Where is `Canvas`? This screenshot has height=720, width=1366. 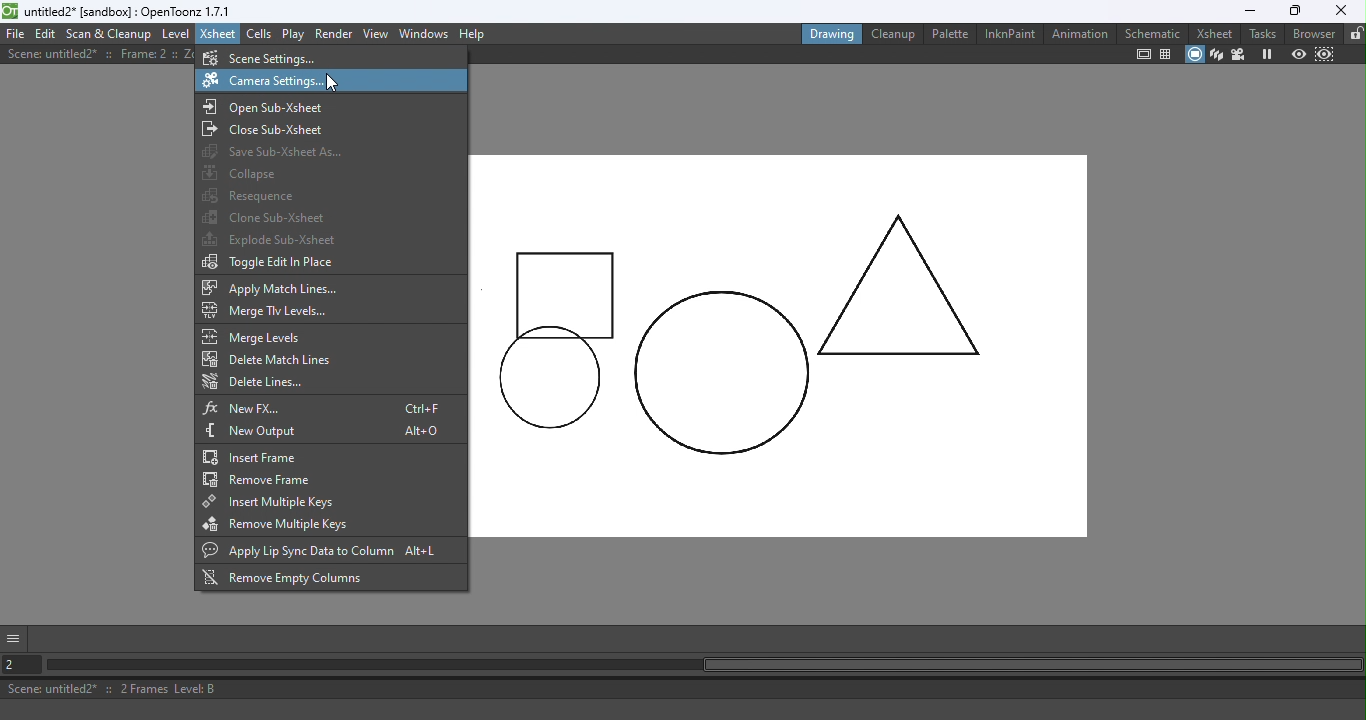
Canvas is located at coordinates (781, 344).